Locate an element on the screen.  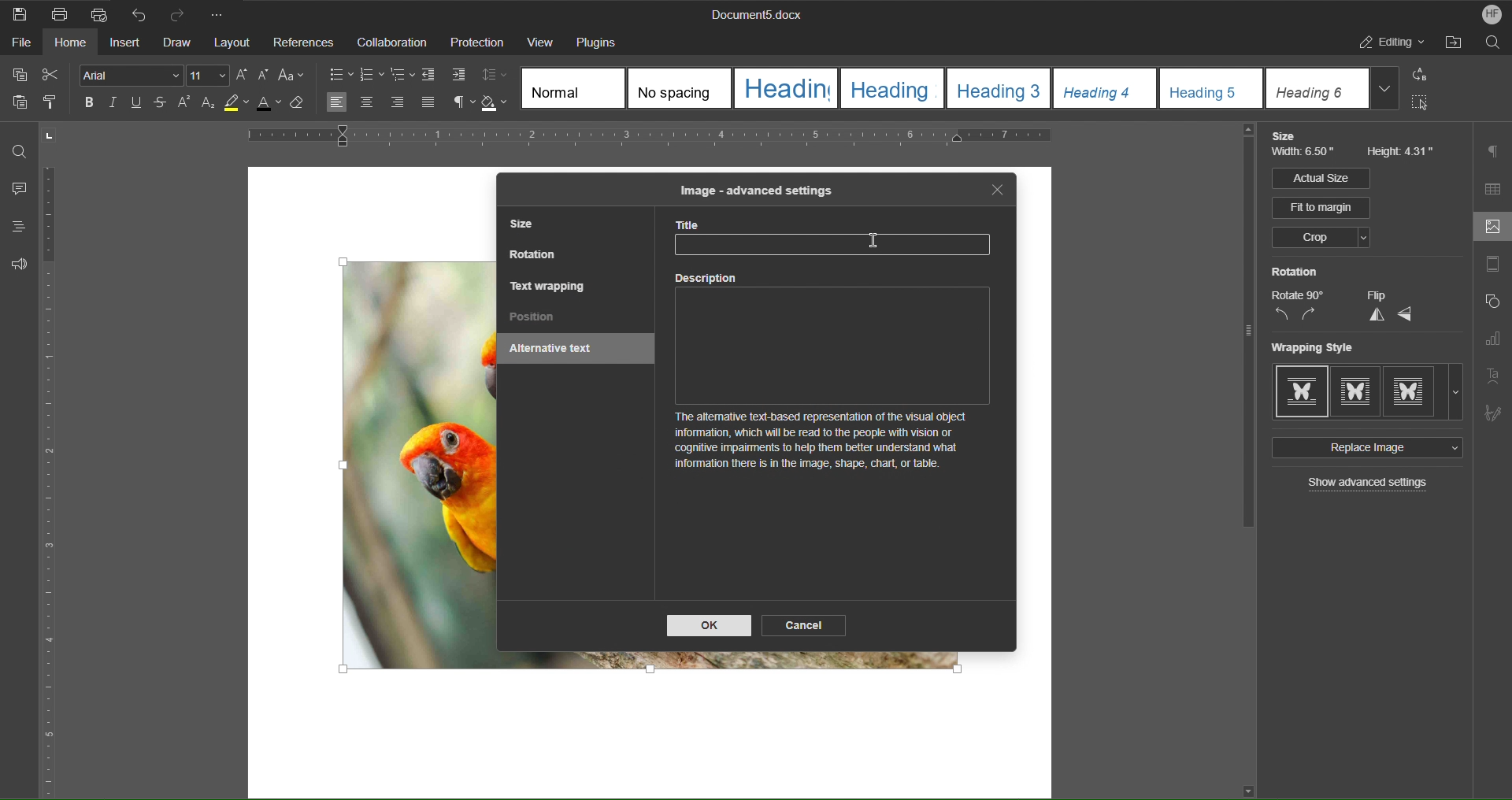
Protection is located at coordinates (477, 43).